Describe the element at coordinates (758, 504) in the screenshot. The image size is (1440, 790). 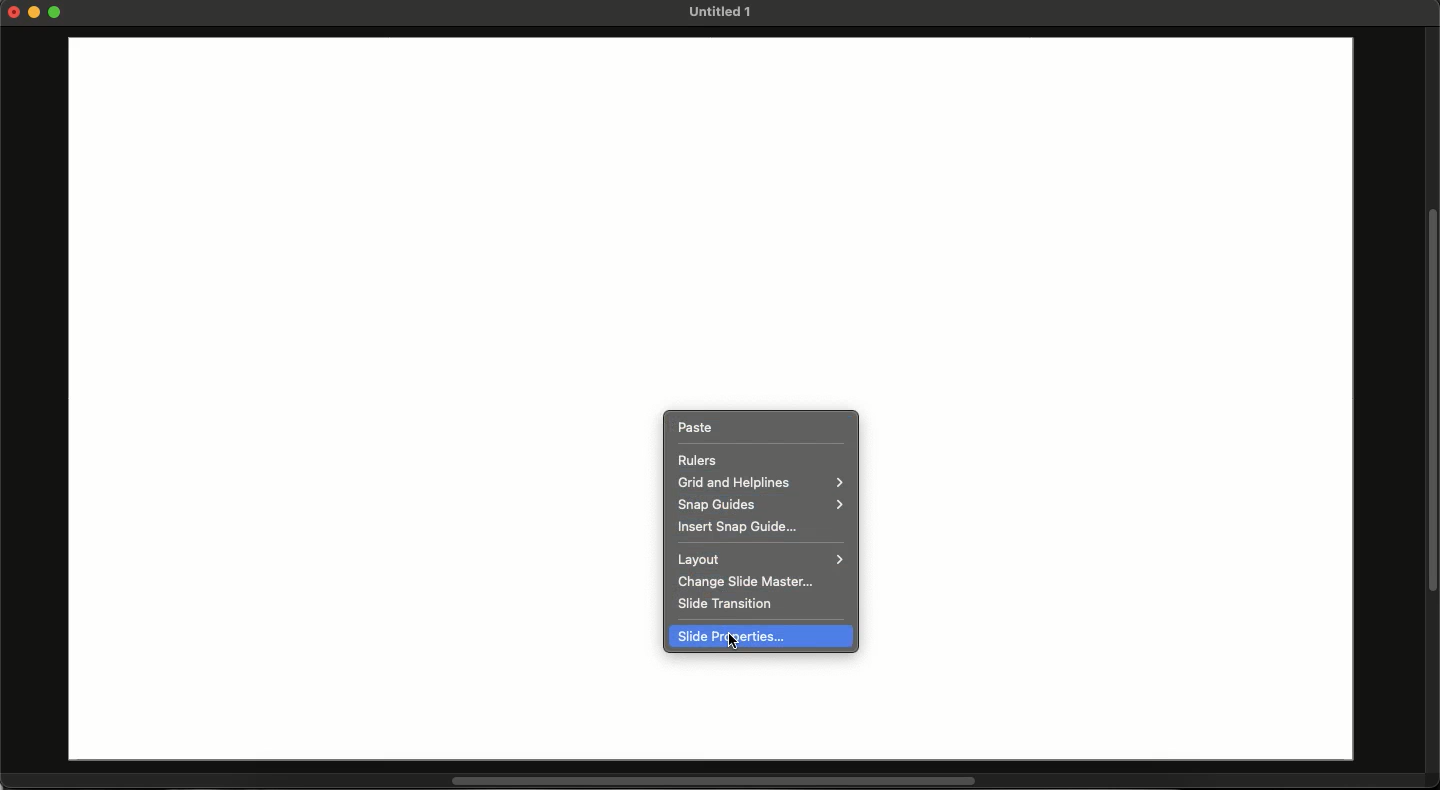
I see `Snap guides` at that location.